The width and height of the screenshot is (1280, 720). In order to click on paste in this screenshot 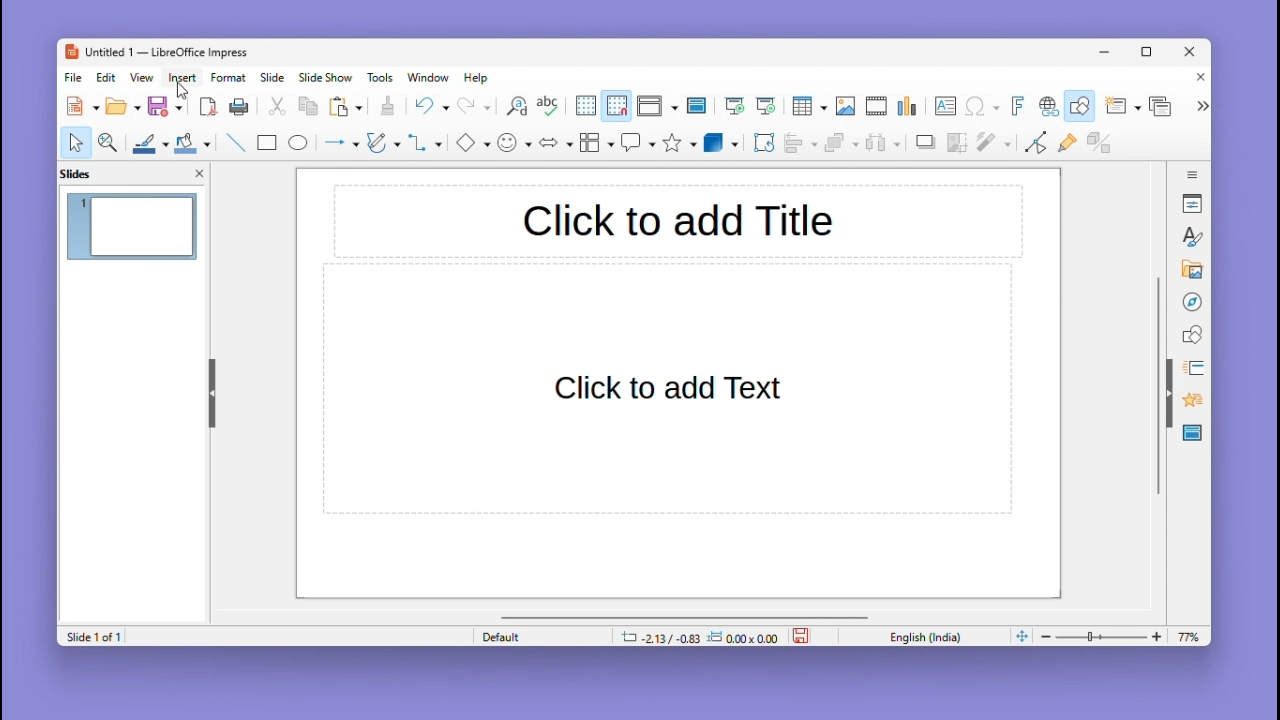, I will do `click(347, 107)`.